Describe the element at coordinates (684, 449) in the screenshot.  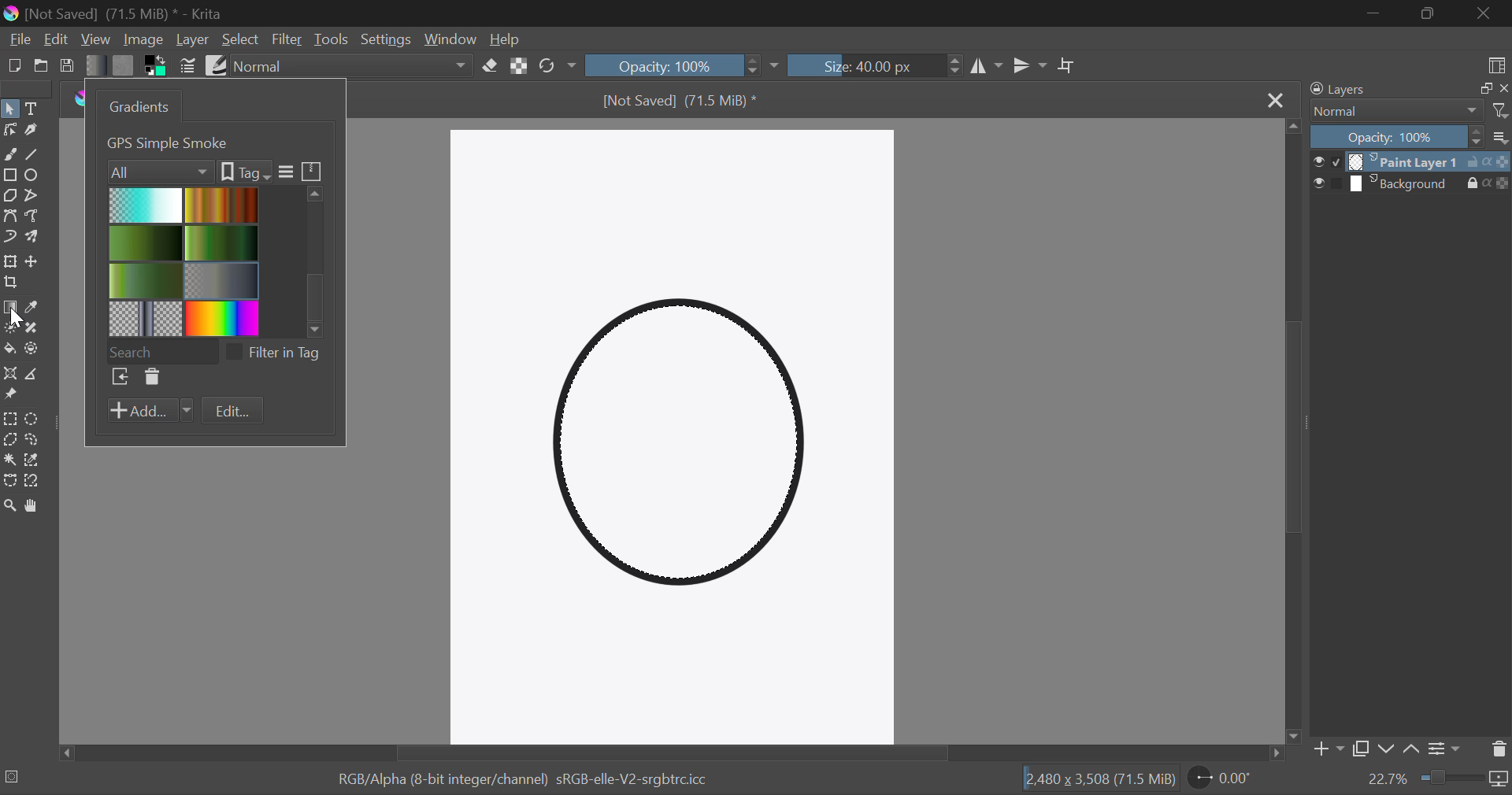
I see `Shape Selected` at that location.